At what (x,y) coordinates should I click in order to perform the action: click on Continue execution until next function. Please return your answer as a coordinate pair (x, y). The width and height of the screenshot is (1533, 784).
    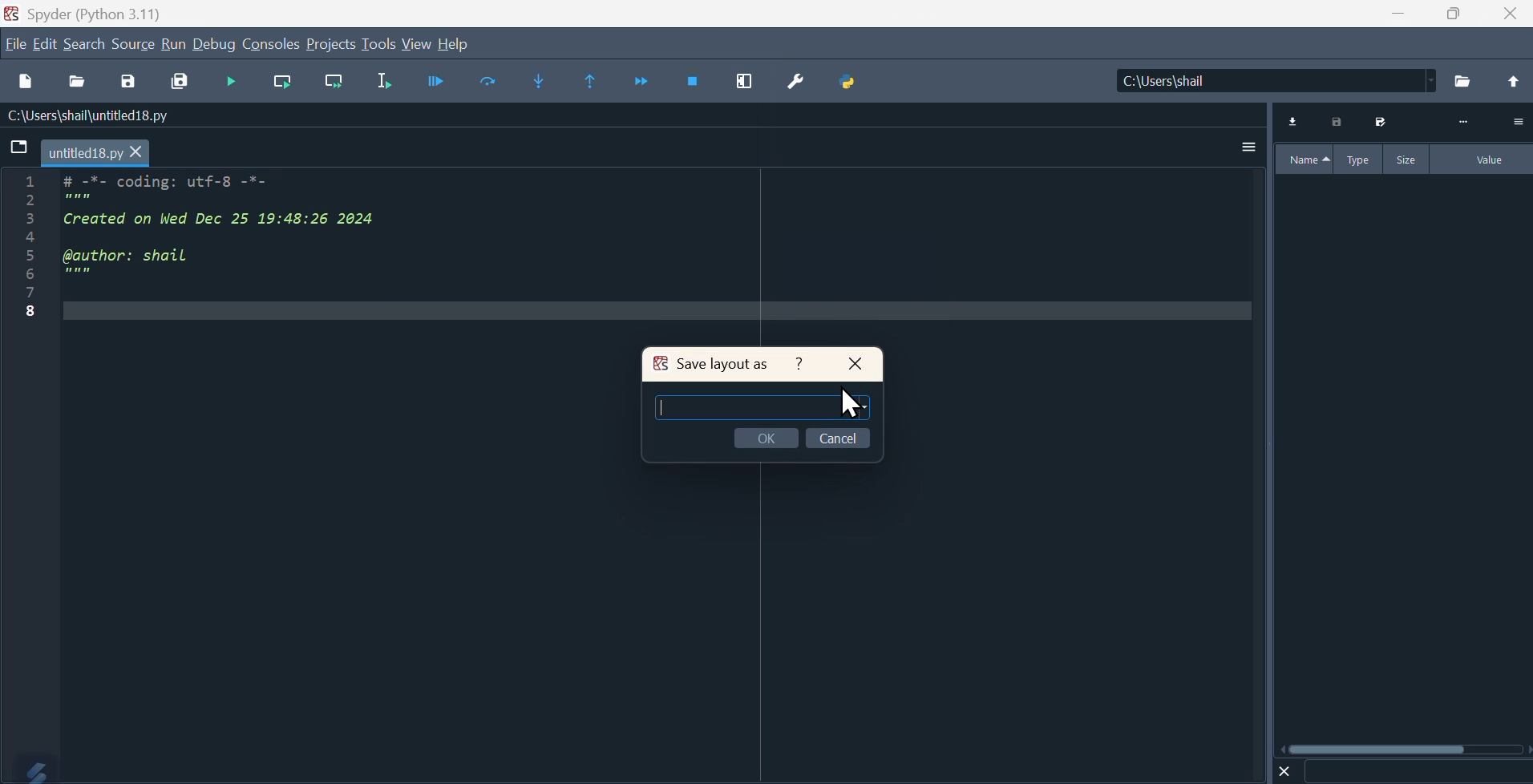
    Looking at the image, I should click on (643, 83).